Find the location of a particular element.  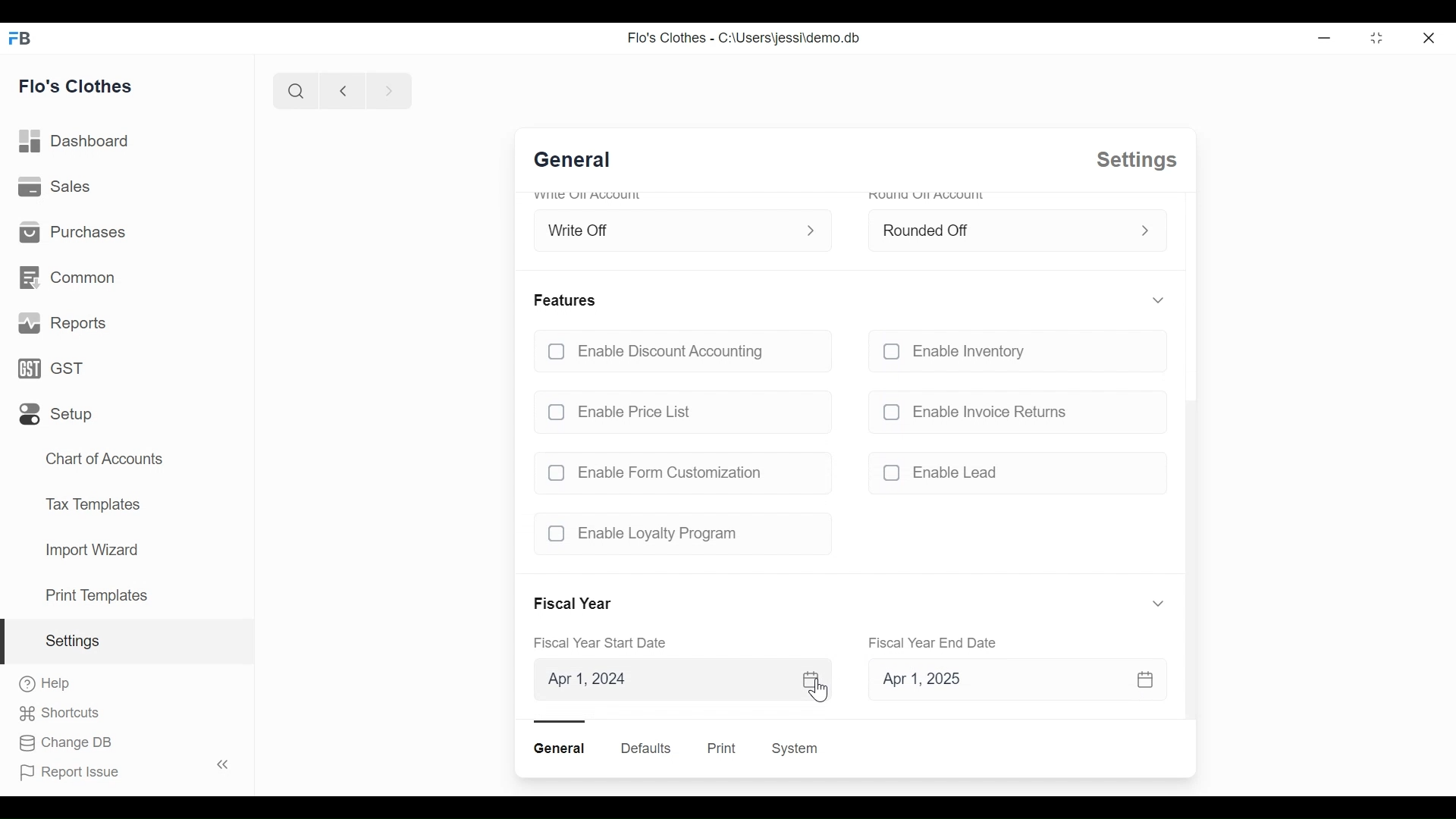

Change DB is located at coordinates (66, 744).